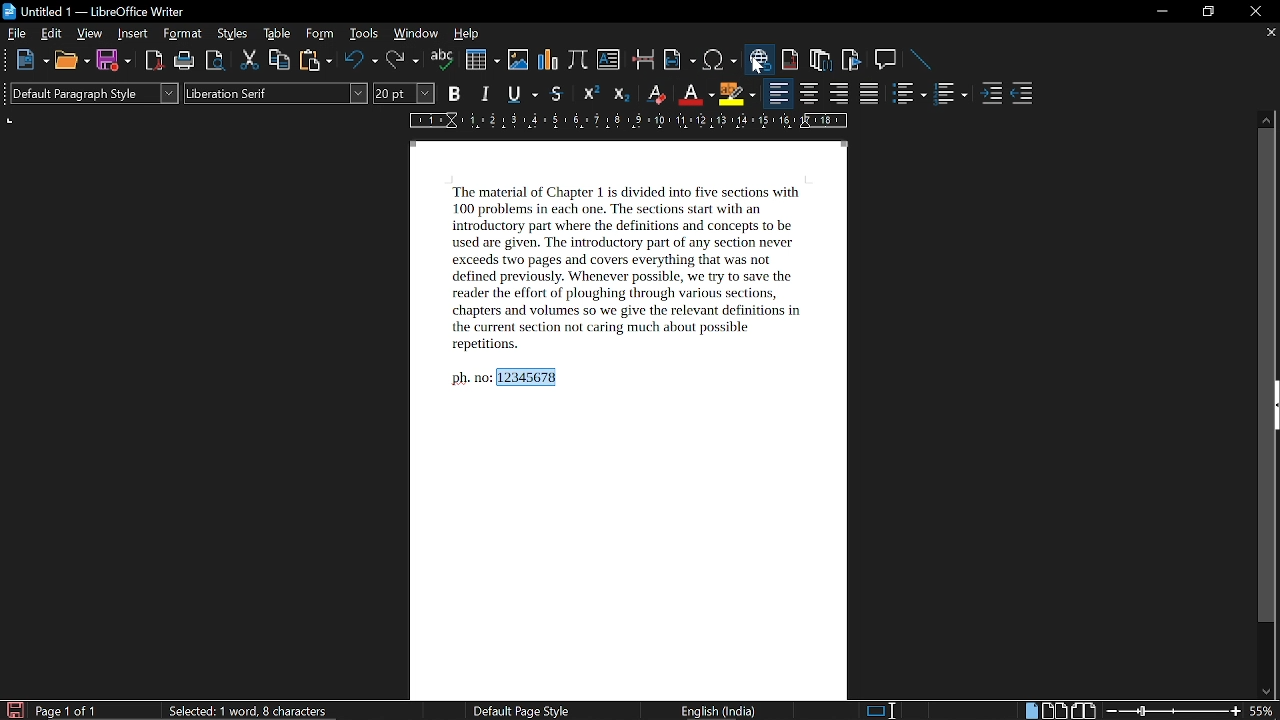 This screenshot has width=1280, height=720. I want to click on align left, so click(777, 95).